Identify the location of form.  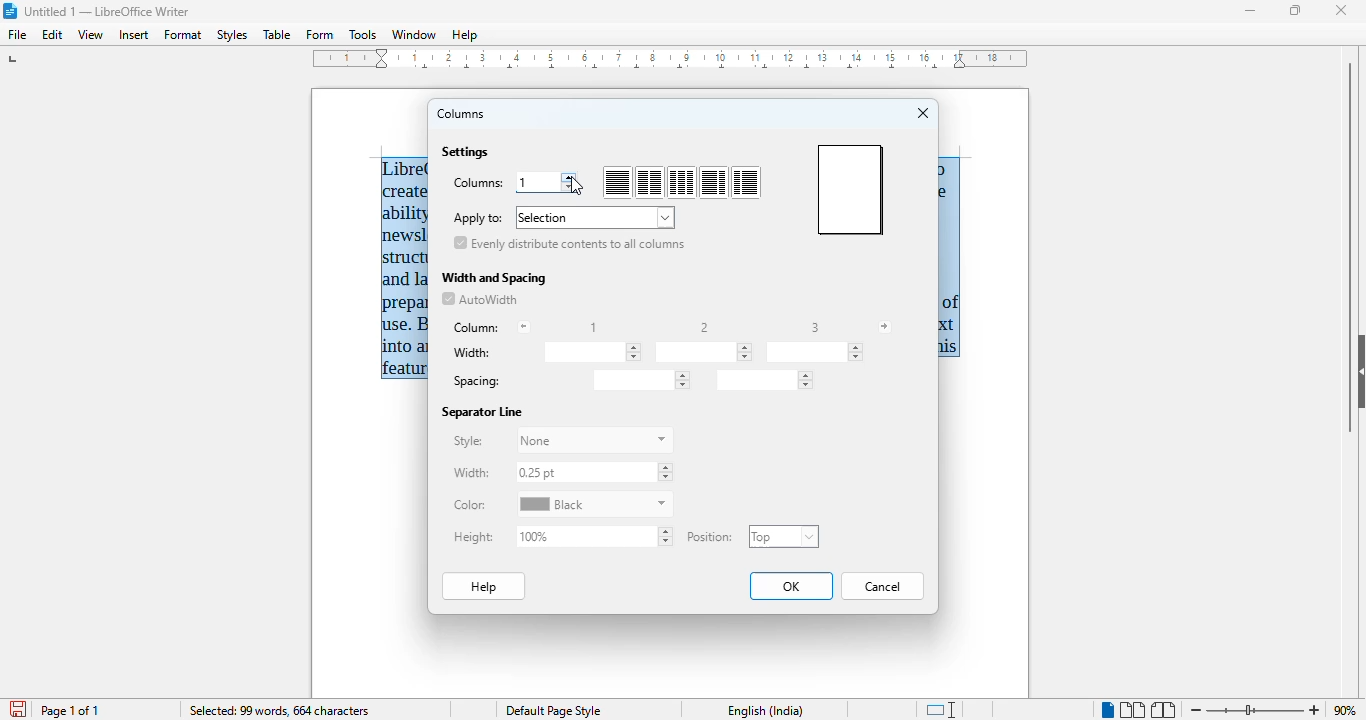
(320, 35).